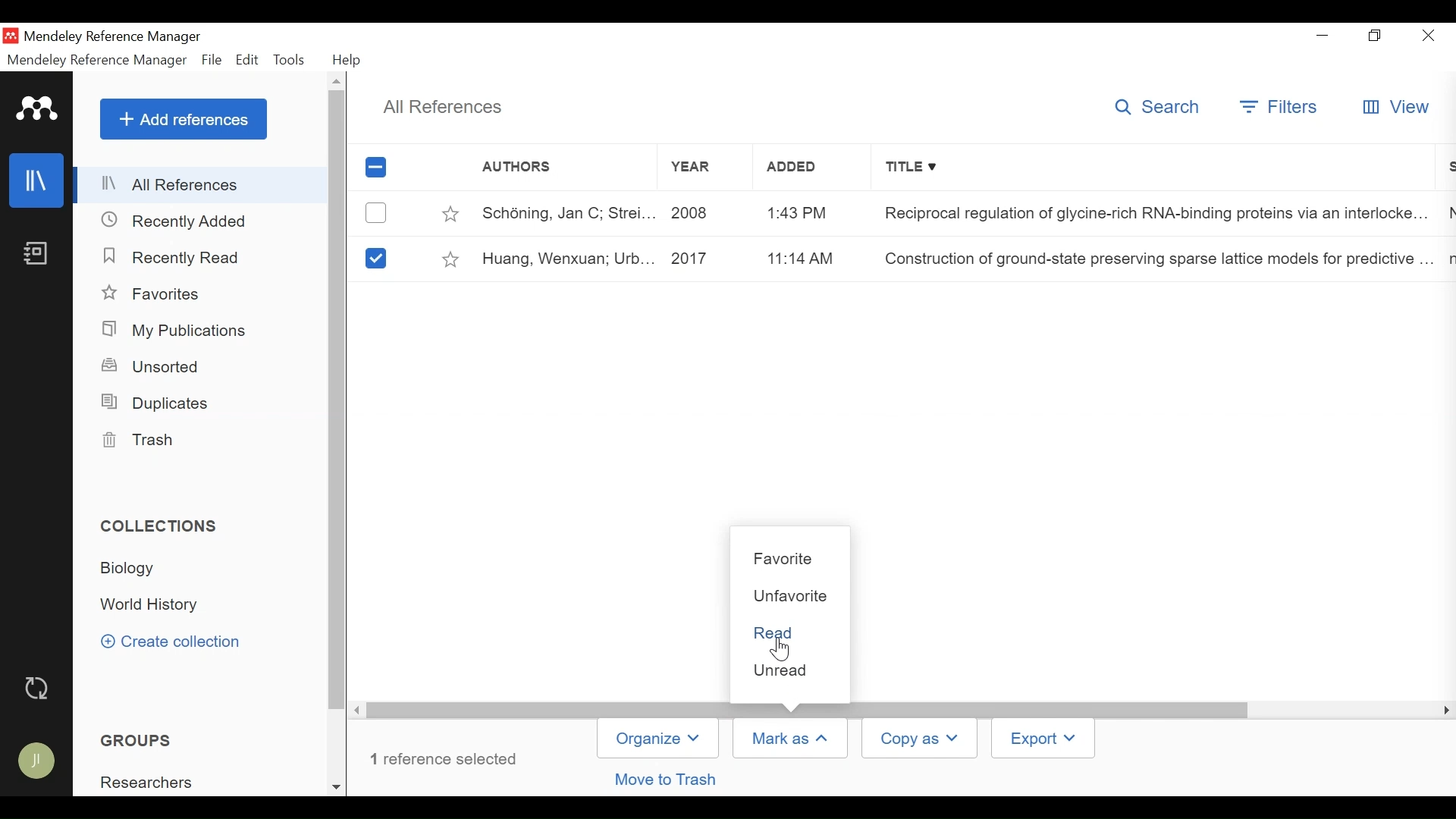 Image resolution: width=1456 pixels, height=819 pixels. What do you see at coordinates (360, 711) in the screenshot?
I see `Scroll left` at bounding box center [360, 711].